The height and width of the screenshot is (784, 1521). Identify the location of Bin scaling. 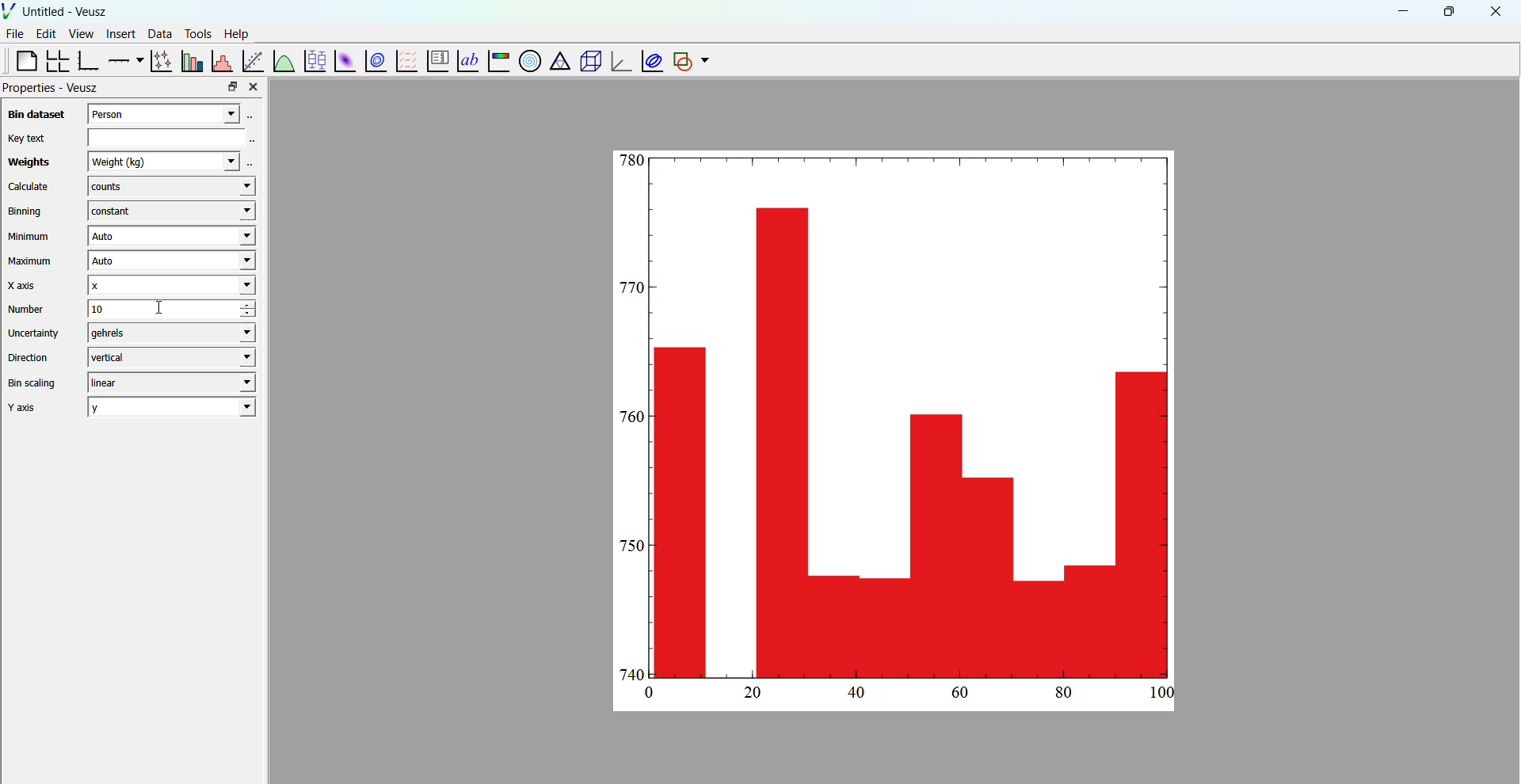
(32, 383).